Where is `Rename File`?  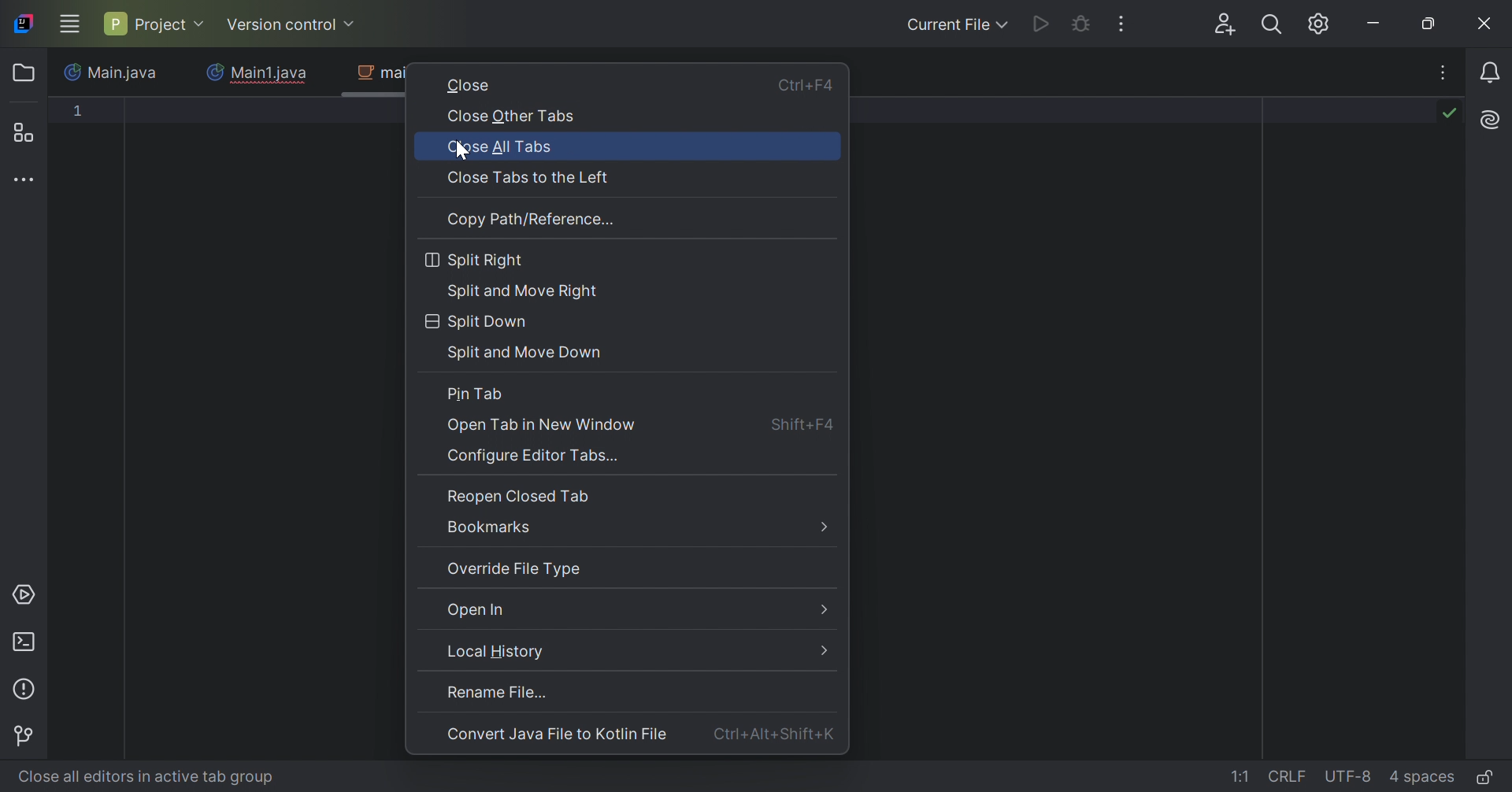
Rename File is located at coordinates (556, 694).